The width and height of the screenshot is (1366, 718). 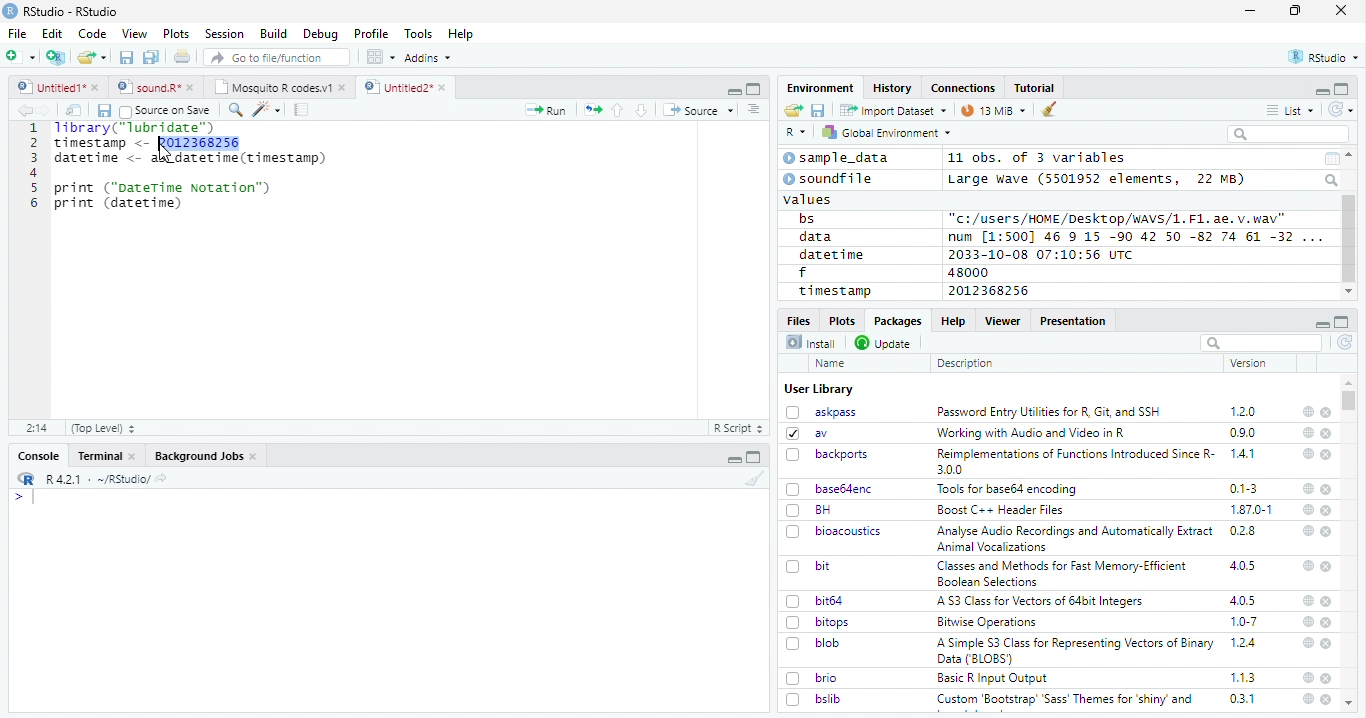 What do you see at coordinates (1244, 530) in the screenshot?
I see `0.2.8` at bounding box center [1244, 530].